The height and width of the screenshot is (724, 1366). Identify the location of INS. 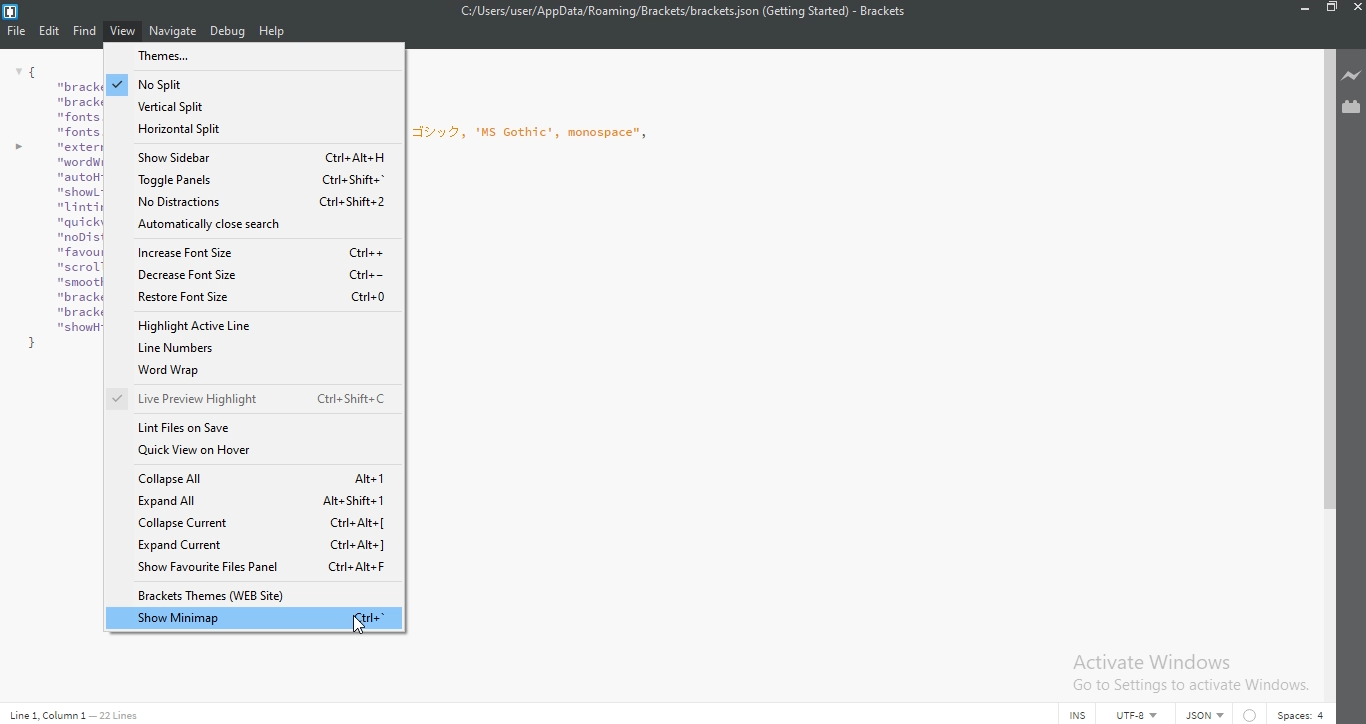
(1082, 715).